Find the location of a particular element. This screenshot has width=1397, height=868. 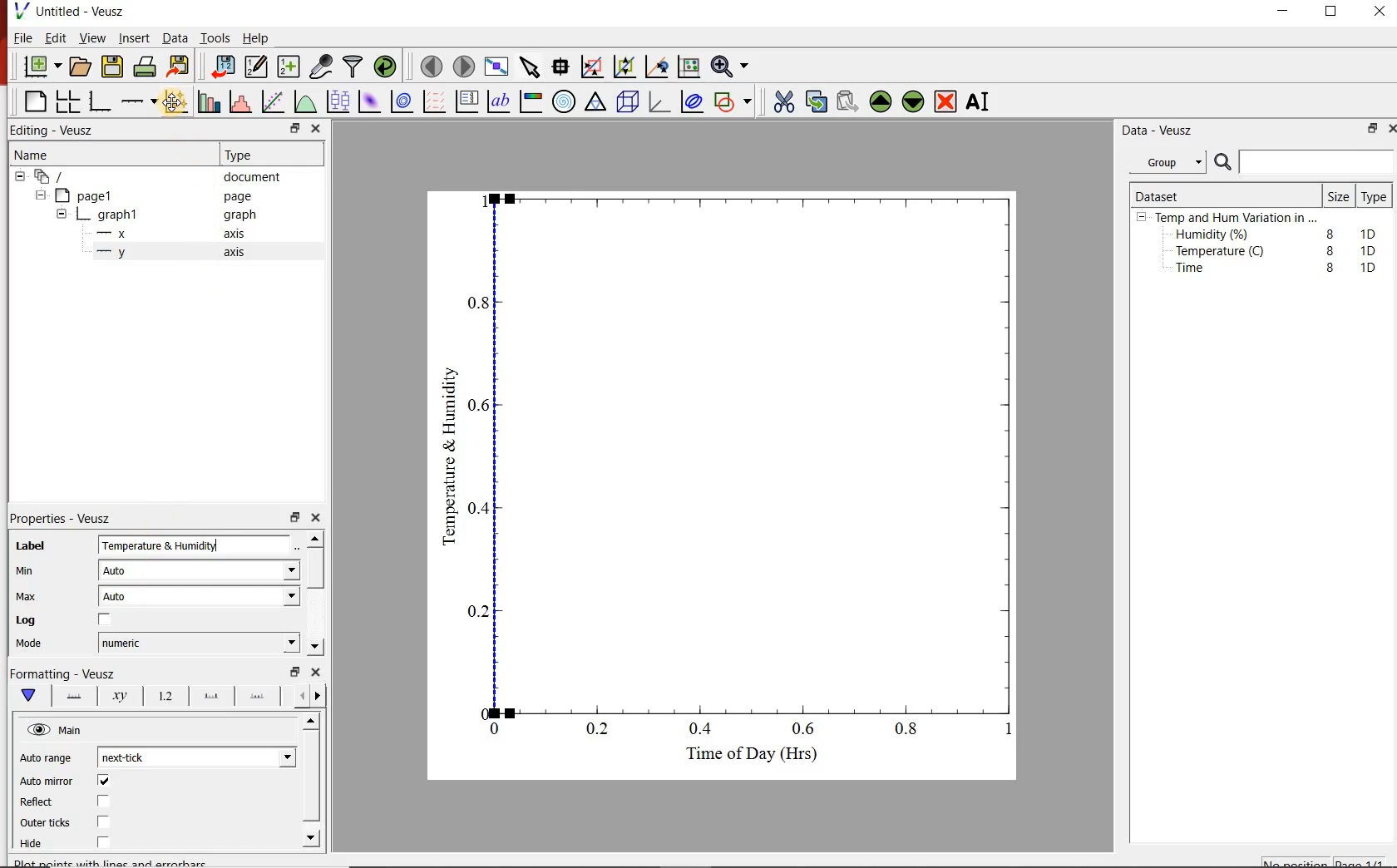

0.6 is located at coordinates (481, 409).